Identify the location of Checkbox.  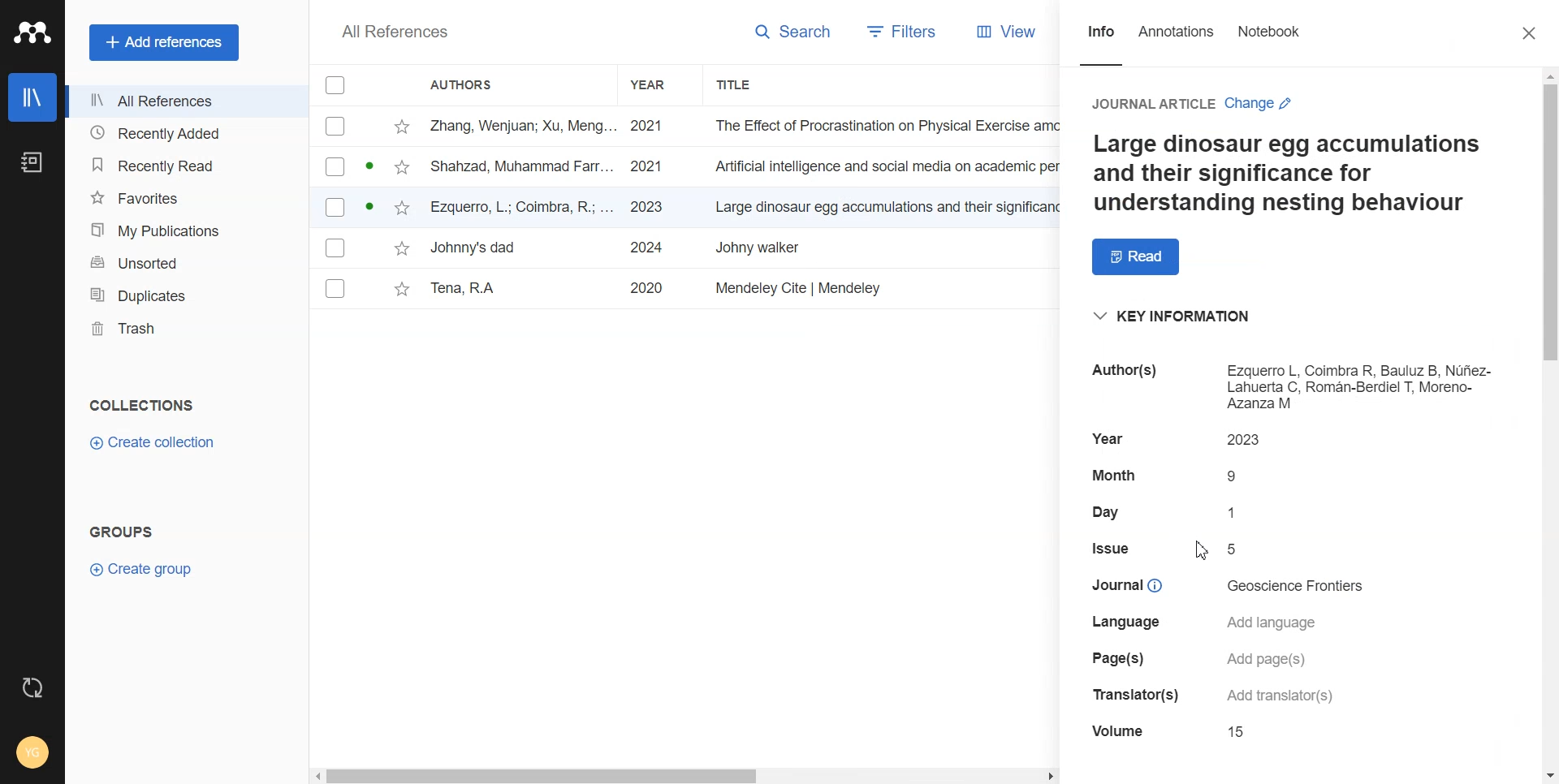
(336, 207).